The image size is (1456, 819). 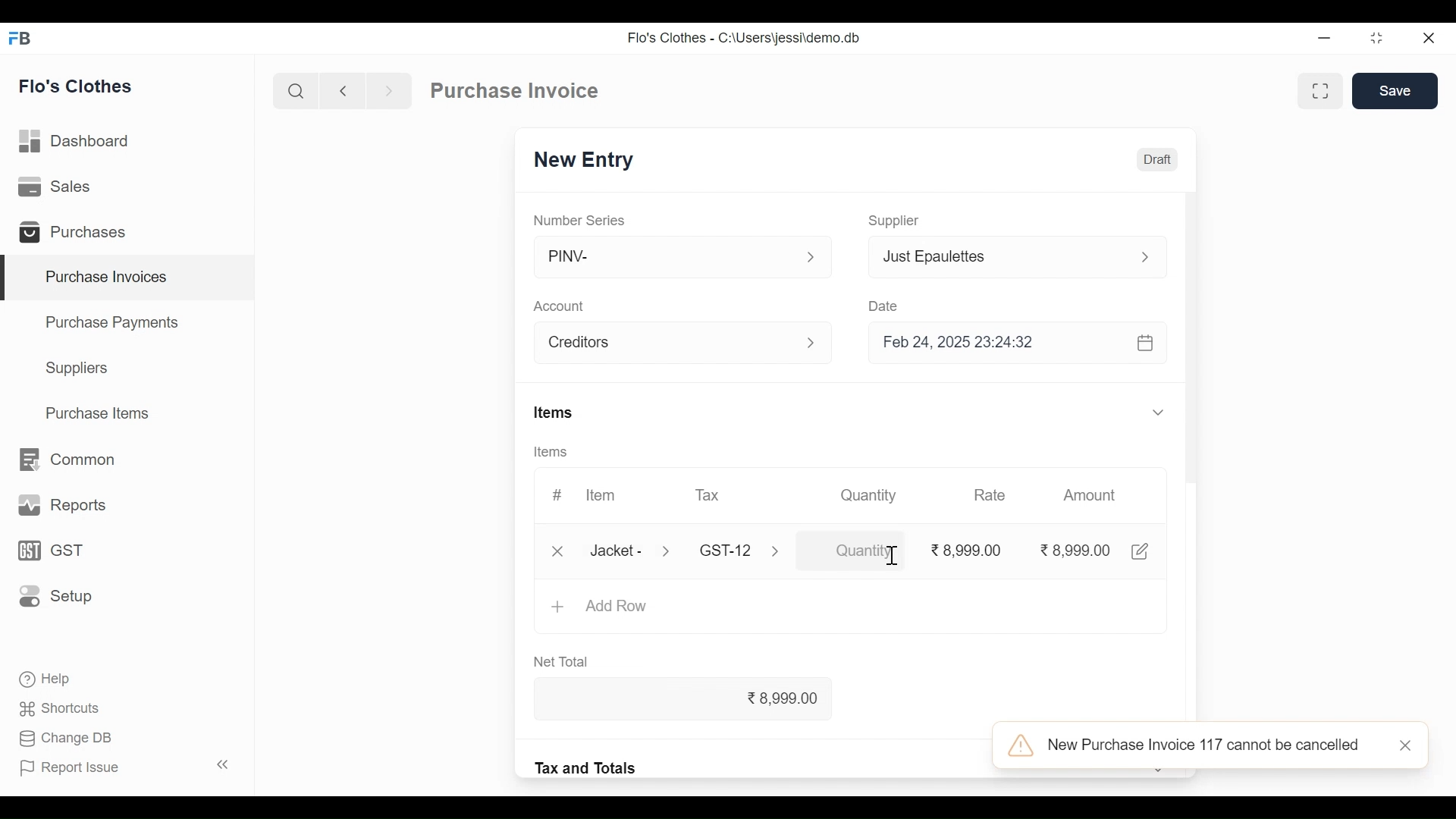 What do you see at coordinates (1090, 495) in the screenshot?
I see `Amount` at bounding box center [1090, 495].